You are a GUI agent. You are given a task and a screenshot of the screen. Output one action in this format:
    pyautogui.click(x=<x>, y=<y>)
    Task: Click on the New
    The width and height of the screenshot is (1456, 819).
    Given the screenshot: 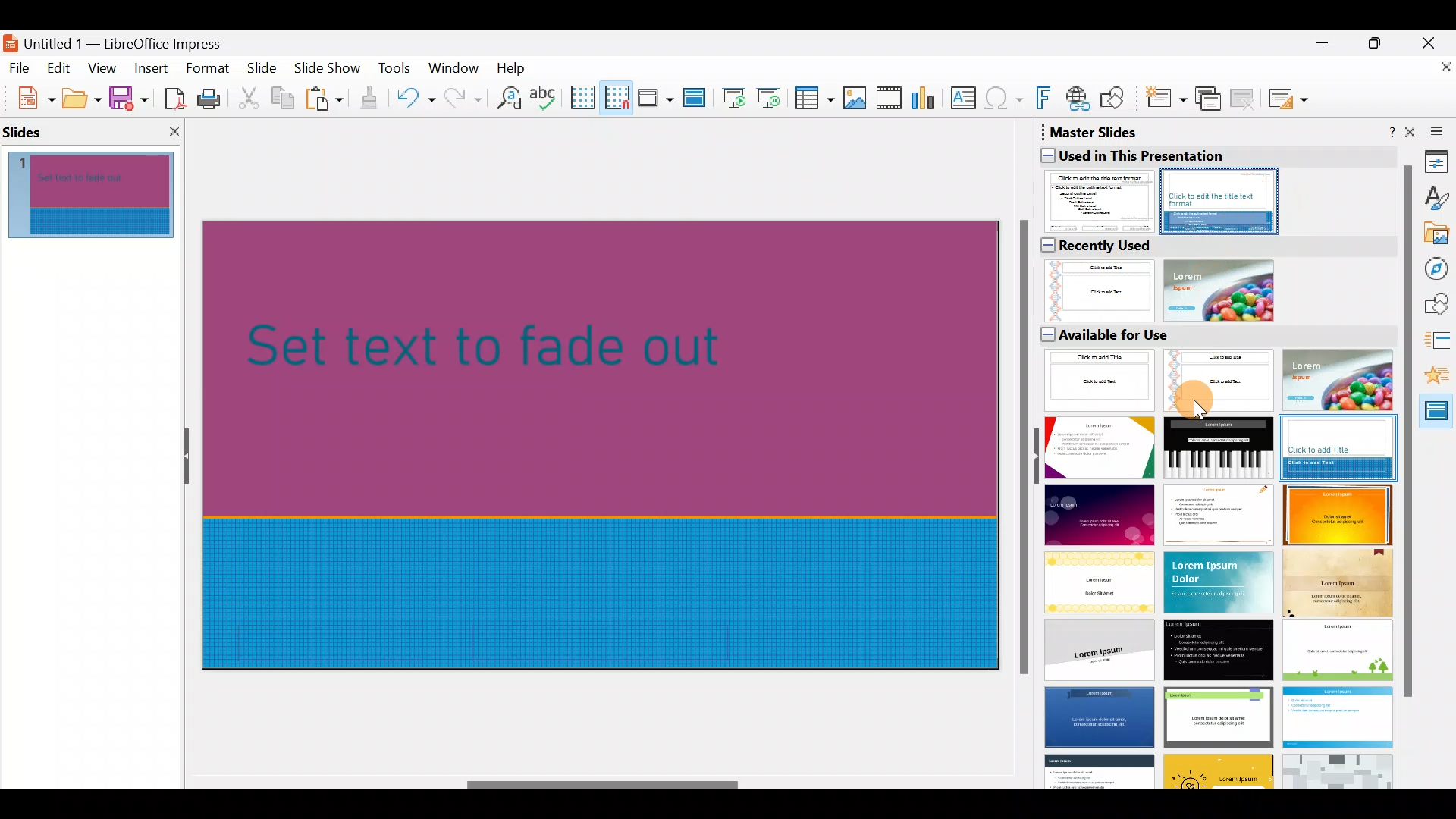 What is the action you would take?
    pyautogui.click(x=28, y=96)
    